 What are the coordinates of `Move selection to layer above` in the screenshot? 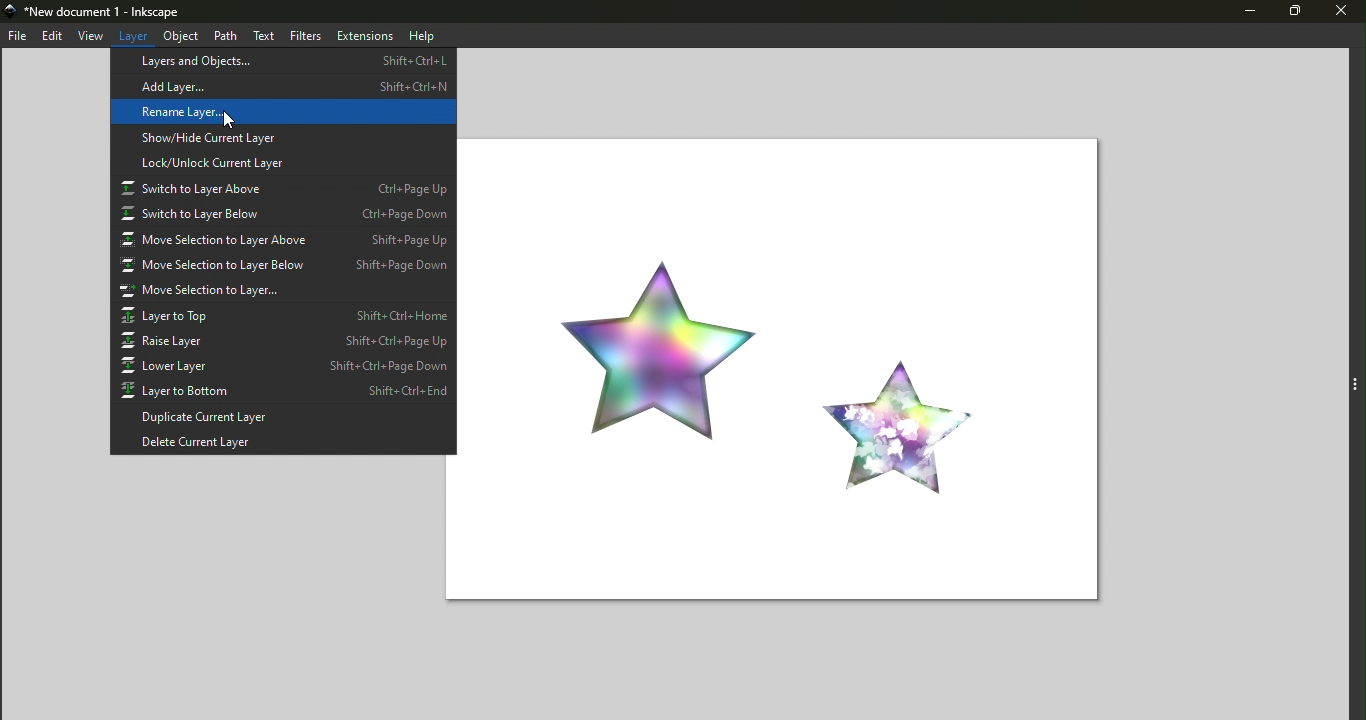 It's located at (284, 239).